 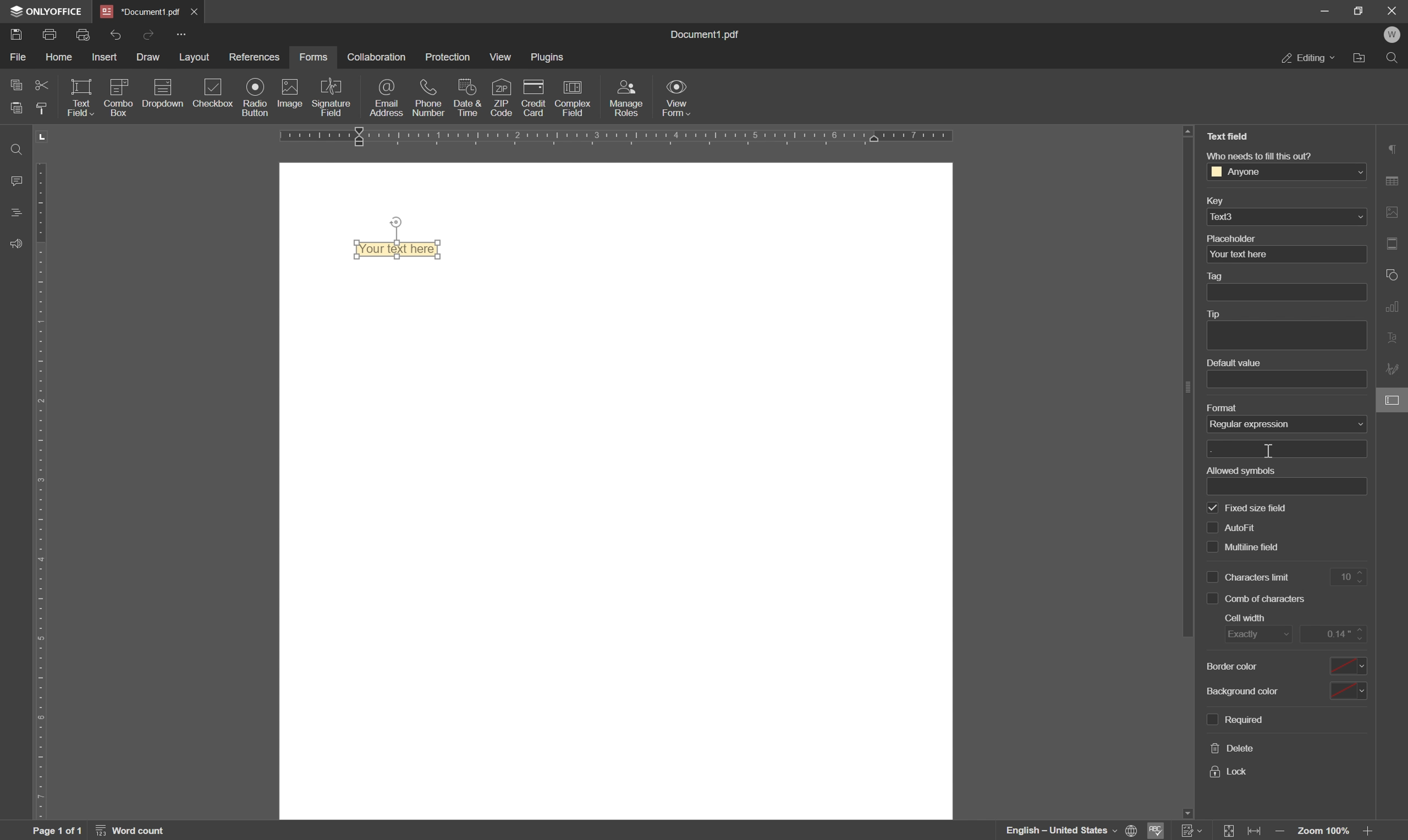 I want to click on background color, so click(x=1249, y=690).